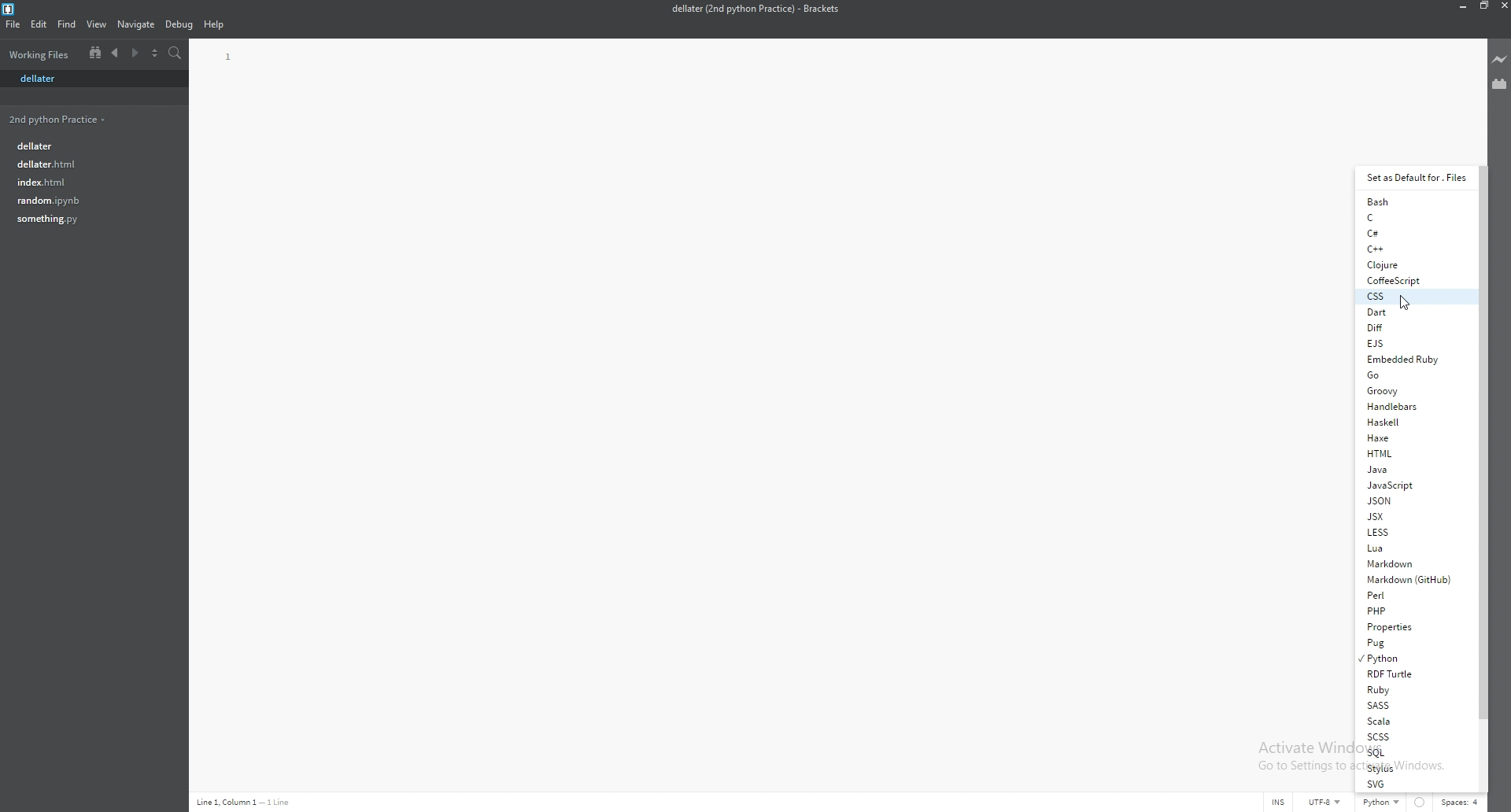 This screenshot has width=1511, height=812. Describe the element at coordinates (13, 24) in the screenshot. I see `file` at that location.